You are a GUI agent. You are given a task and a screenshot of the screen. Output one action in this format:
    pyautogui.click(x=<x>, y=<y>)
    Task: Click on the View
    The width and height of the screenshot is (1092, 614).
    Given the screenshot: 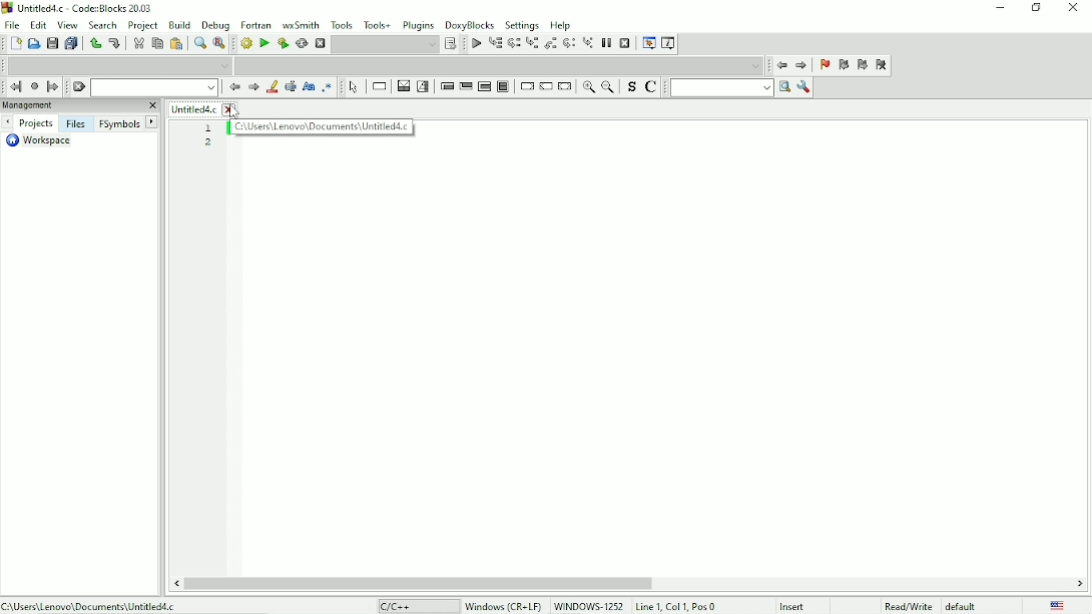 What is the action you would take?
    pyautogui.click(x=67, y=25)
    